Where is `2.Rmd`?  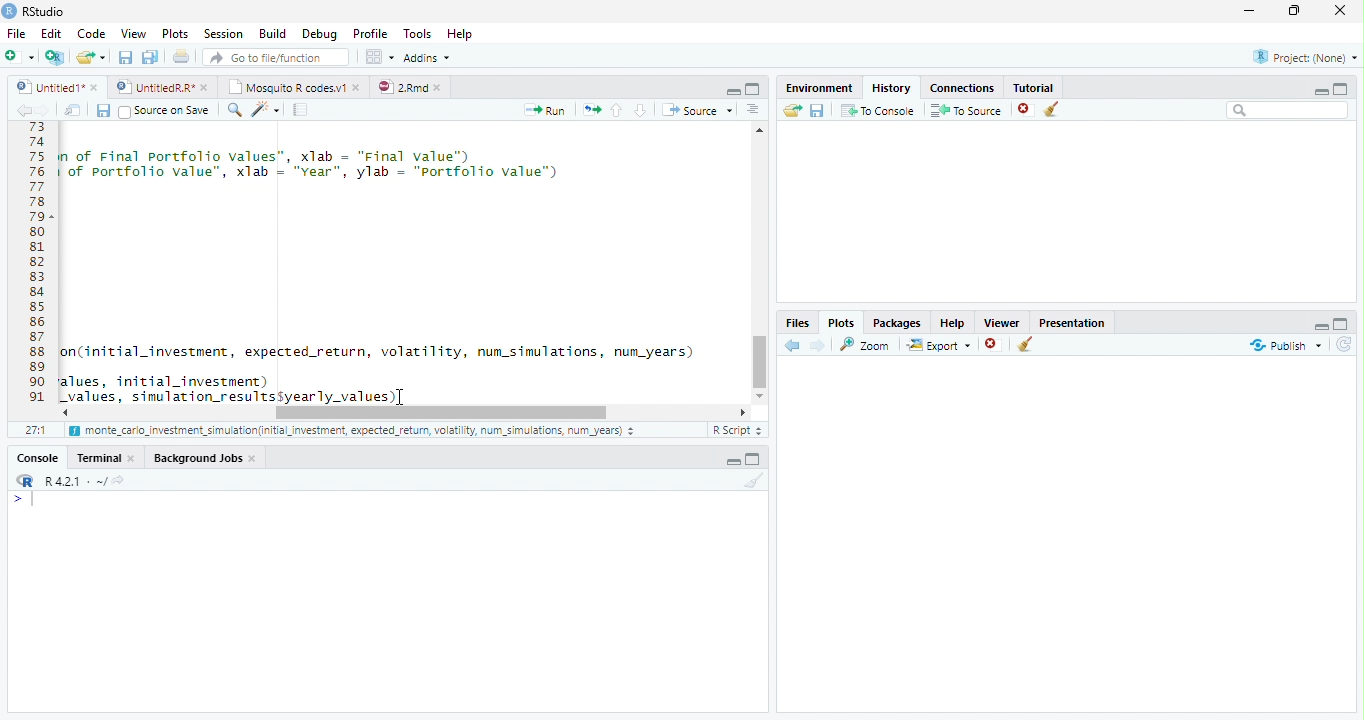
2.Rmd is located at coordinates (410, 87).